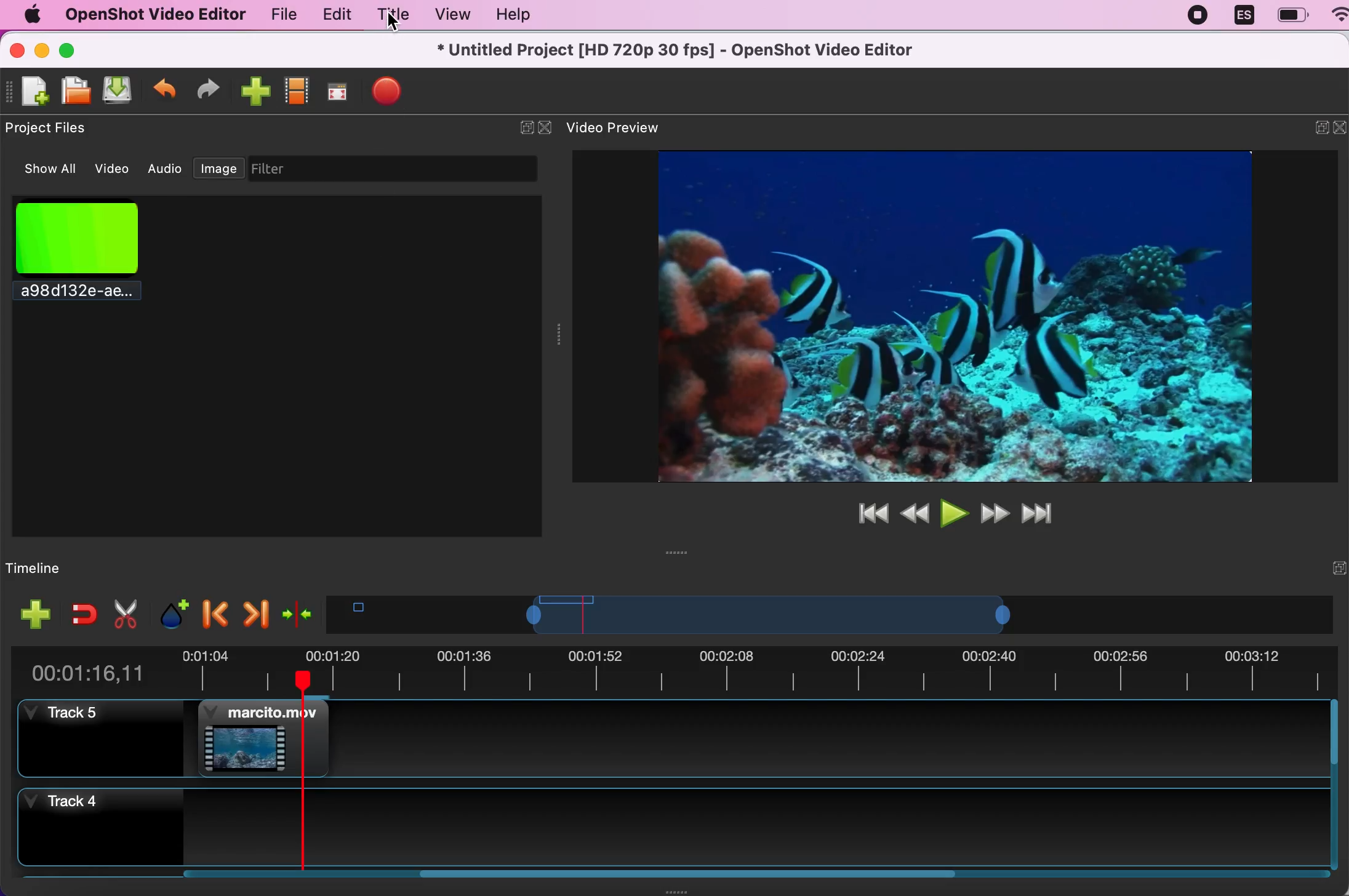 This screenshot has height=896, width=1349. Describe the element at coordinates (676, 830) in the screenshot. I see `track 4` at that location.